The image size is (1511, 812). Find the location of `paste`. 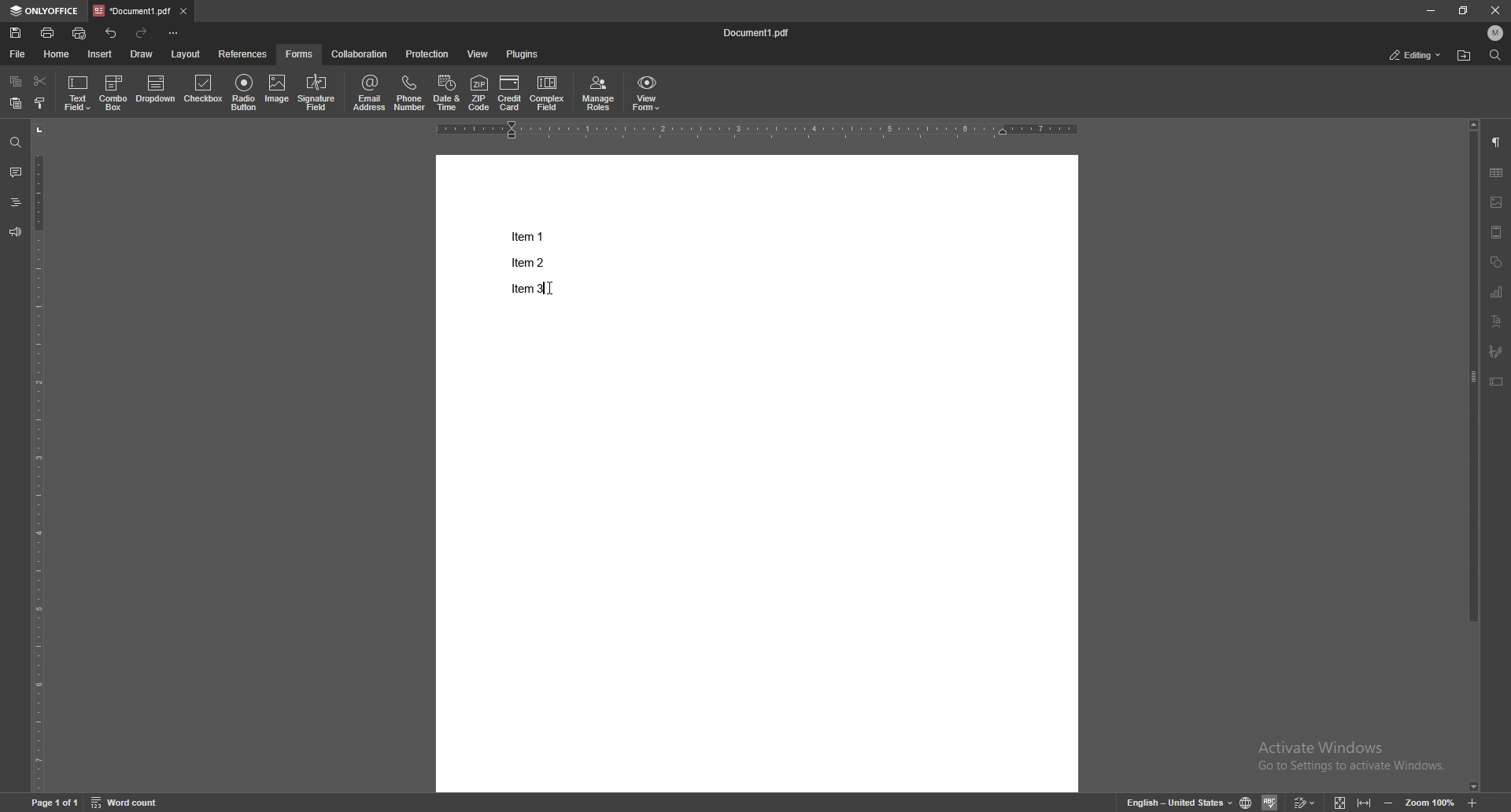

paste is located at coordinates (15, 103).